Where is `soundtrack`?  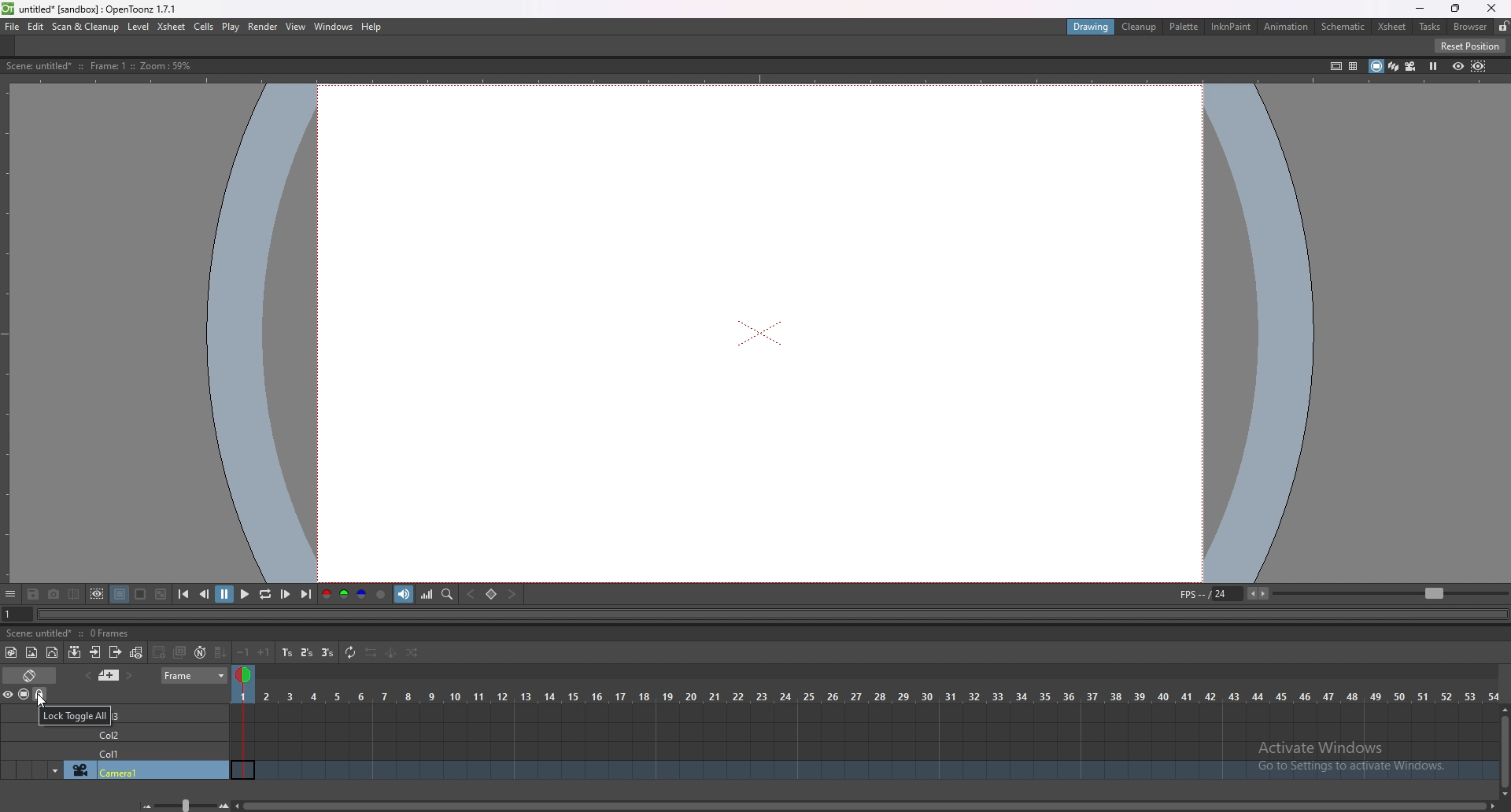
soundtrack is located at coordinates (405, 594).